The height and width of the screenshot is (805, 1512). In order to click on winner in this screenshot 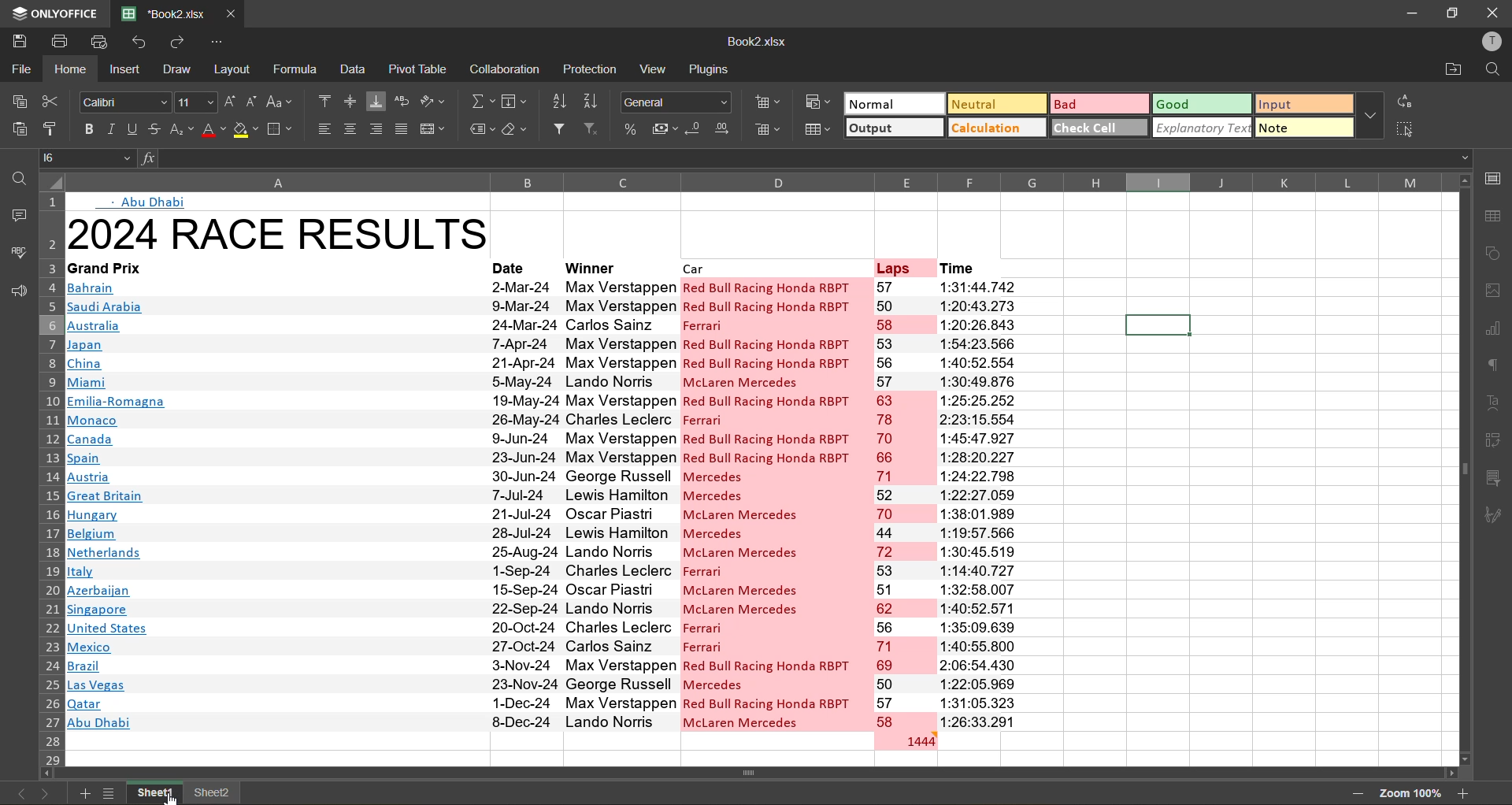, I will do `click(616, 265)`.